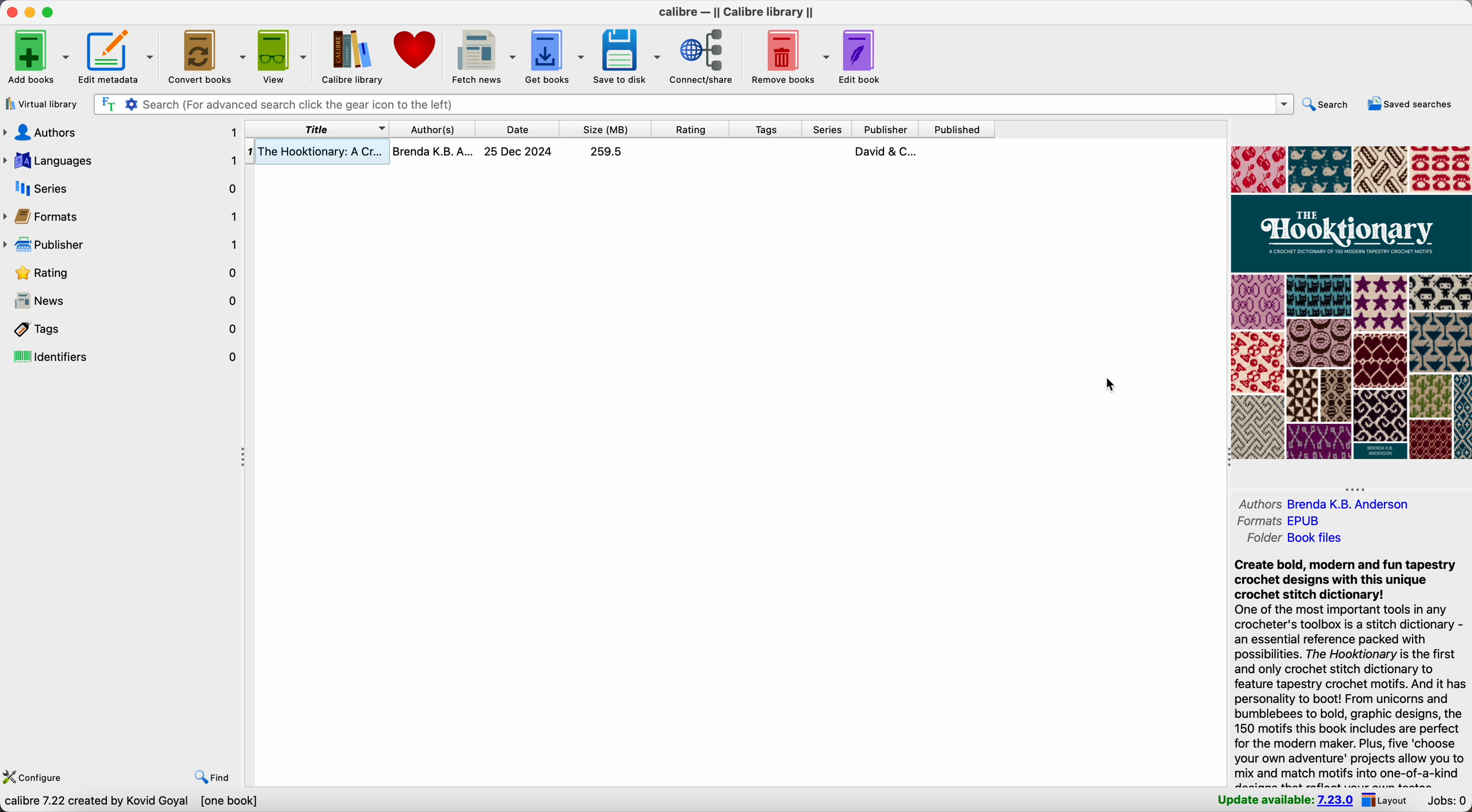 Image resolution: width=1472 pixels, height=812 pixels. Describe the element at coordinates (1410, 104) in the screenshot. I see `saved searches` at that location.